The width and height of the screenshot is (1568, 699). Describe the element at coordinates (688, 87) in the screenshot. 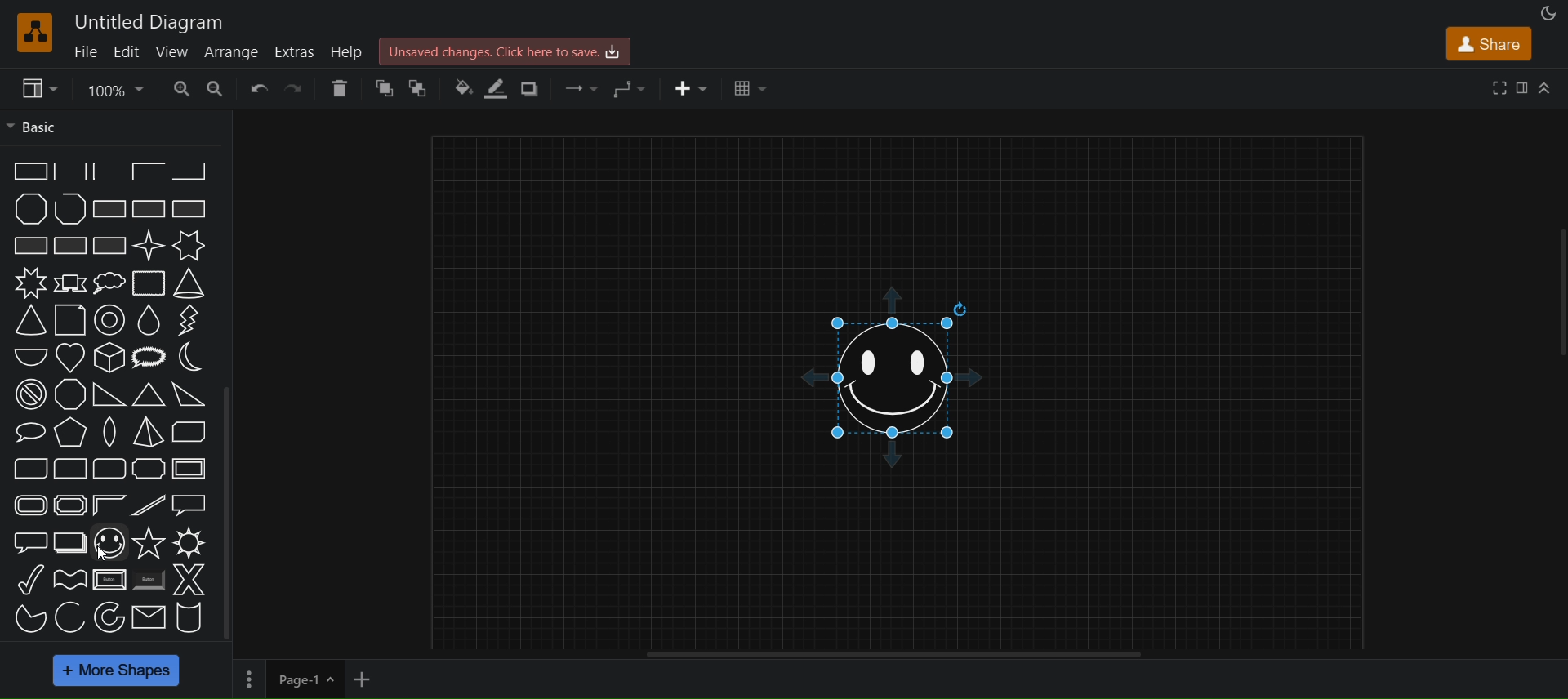

I see `insert` at that location.